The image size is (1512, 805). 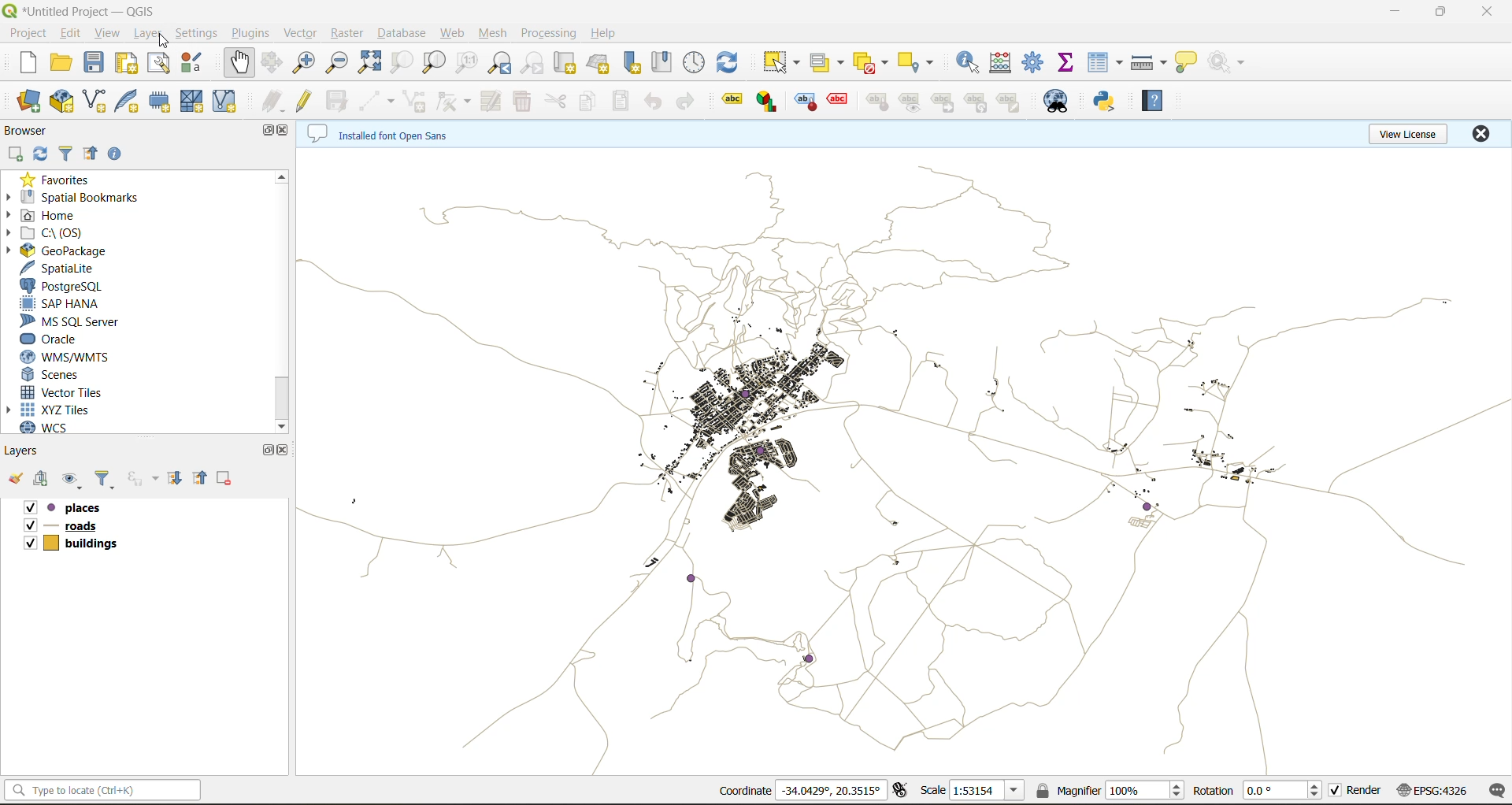 What do you see at coordinates (94, 64) in the screenshot?
I see `save` at bounding box center [94, 64].